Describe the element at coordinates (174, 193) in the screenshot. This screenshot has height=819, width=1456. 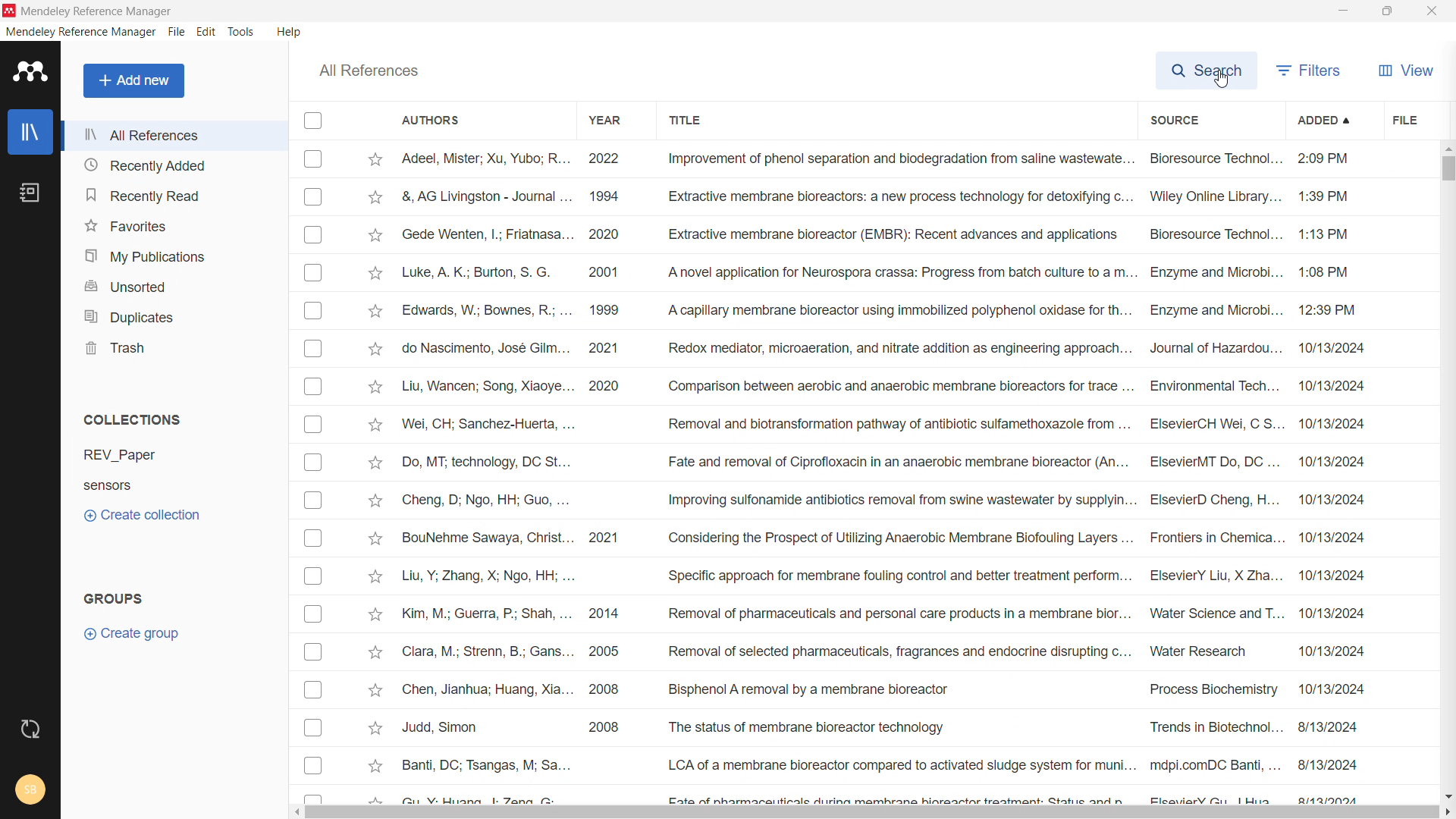
I see `recently read` at that location.